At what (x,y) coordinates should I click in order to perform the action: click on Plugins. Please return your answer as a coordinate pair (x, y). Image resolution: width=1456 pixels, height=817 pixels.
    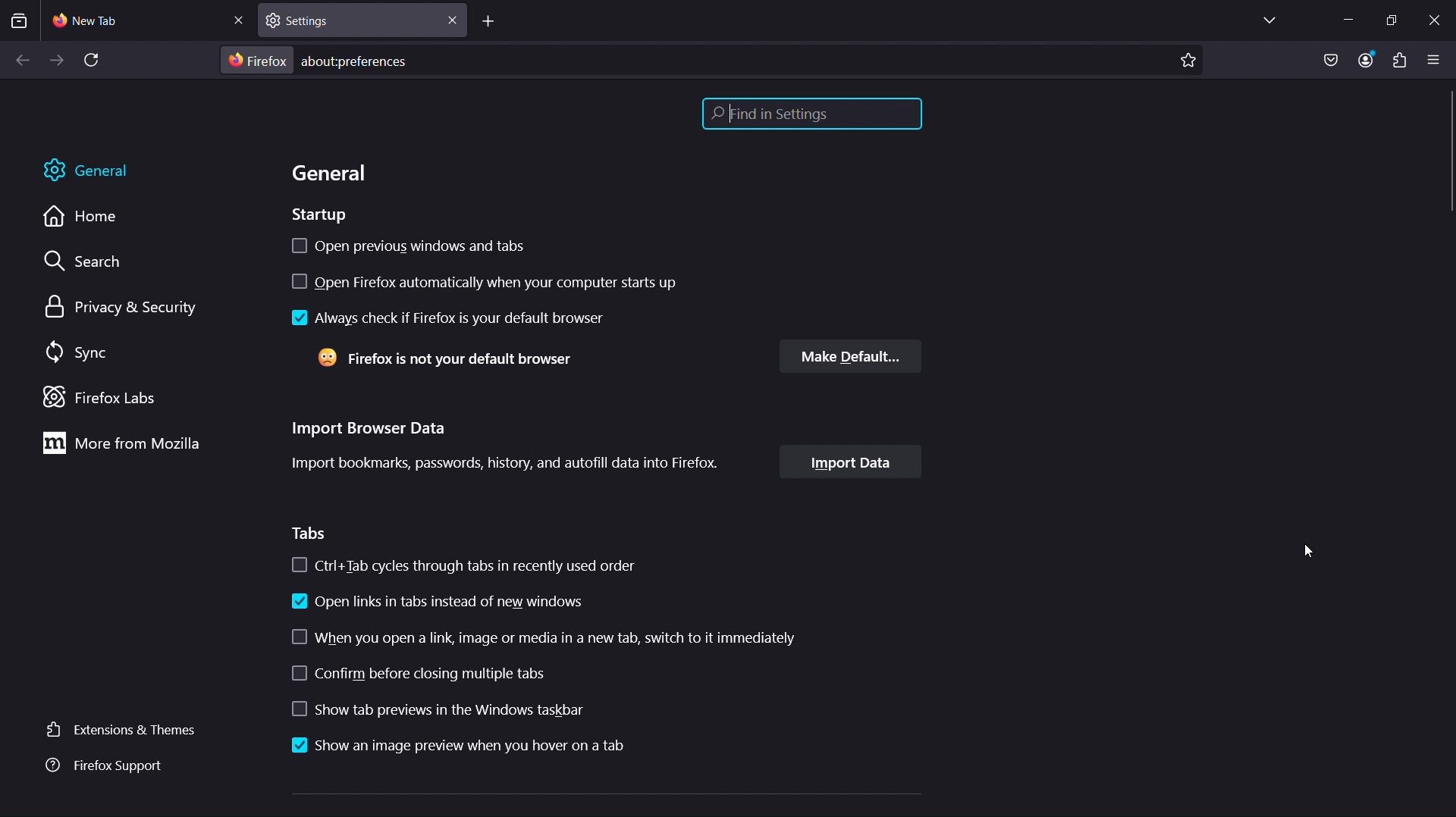
    Looking at the image, I should click on (1399, 60).